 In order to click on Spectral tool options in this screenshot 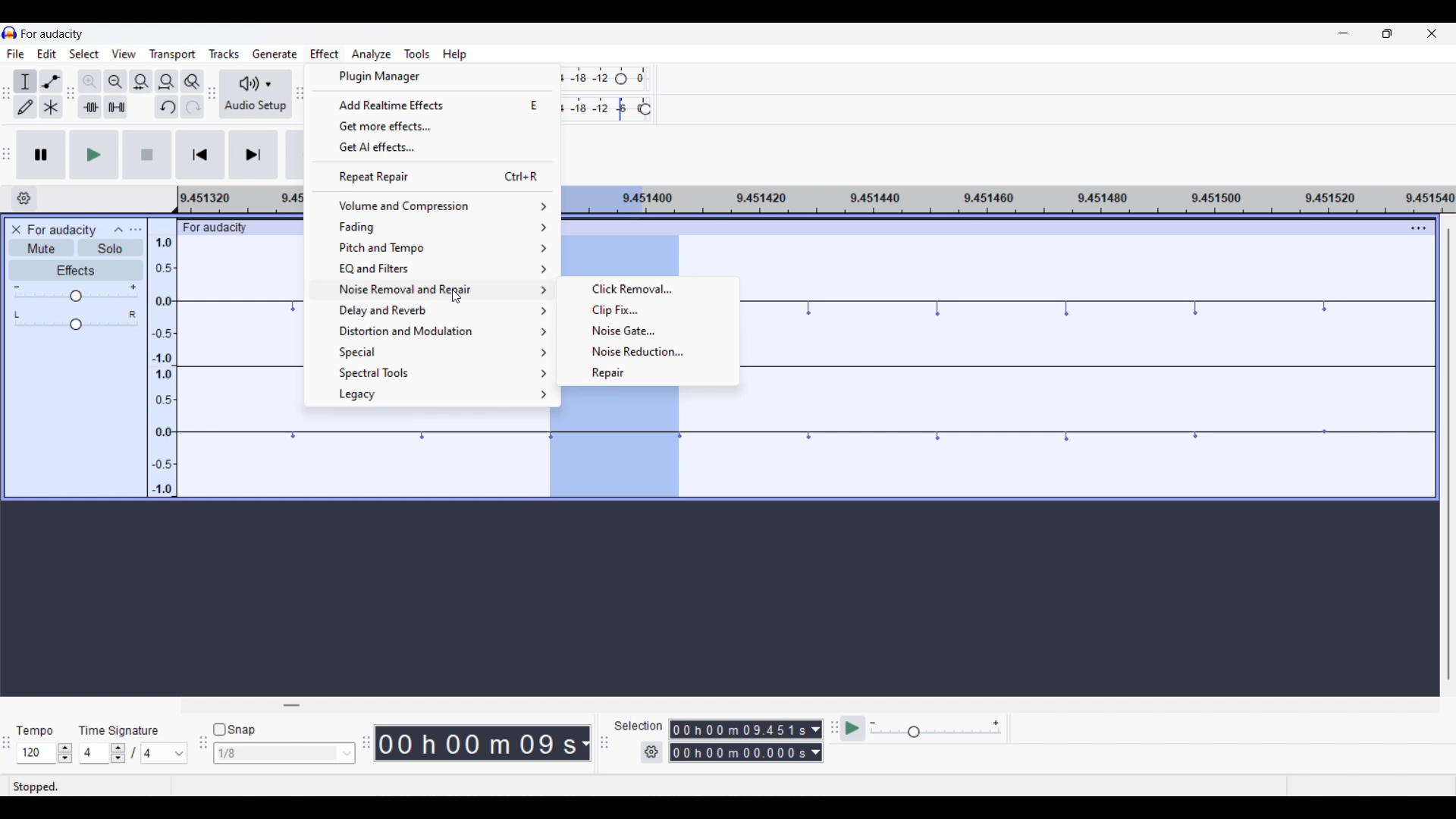, I will do `click(433, 374)`.